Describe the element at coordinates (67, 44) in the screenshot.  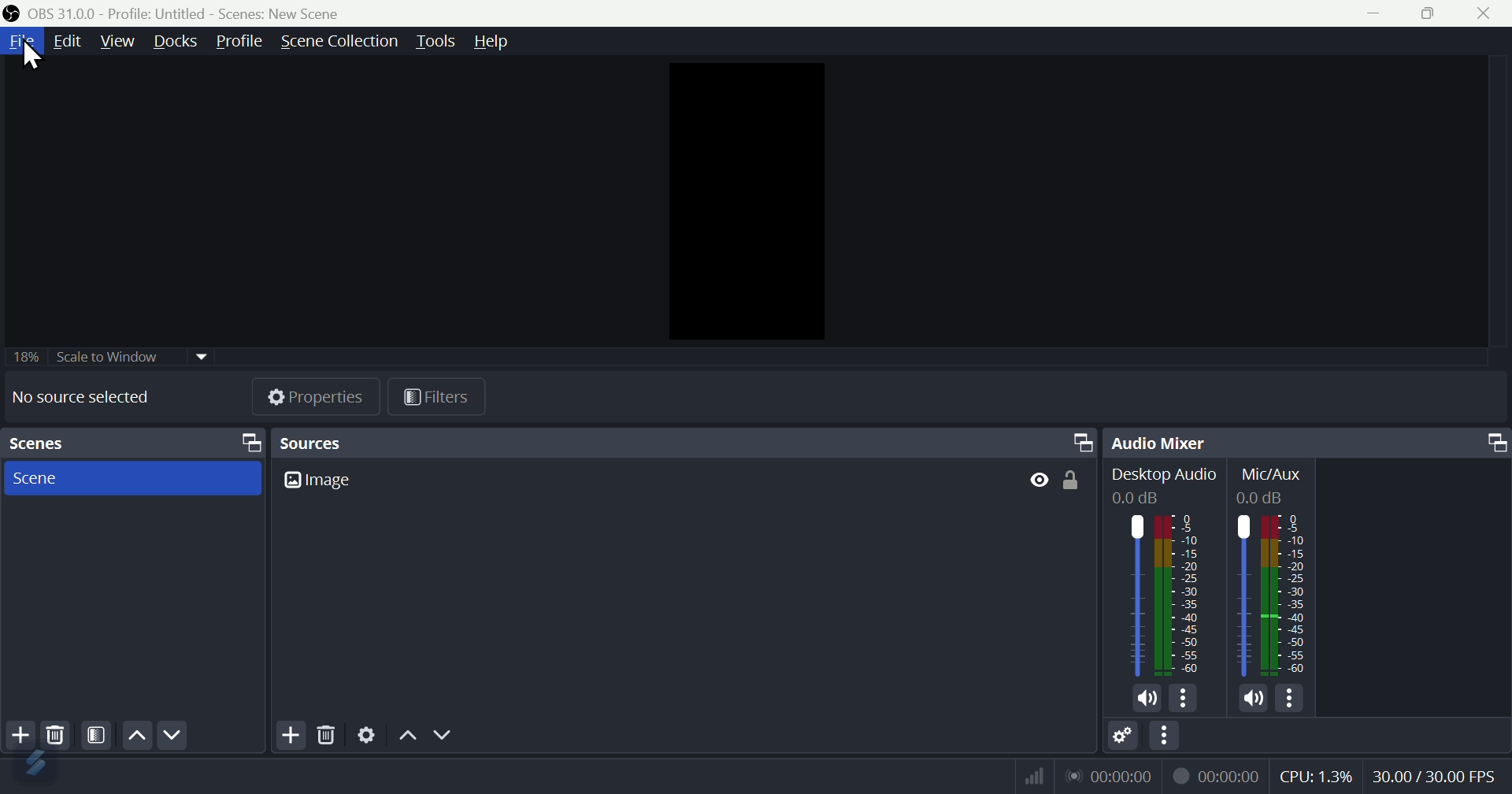
I see `Edit` at that location.